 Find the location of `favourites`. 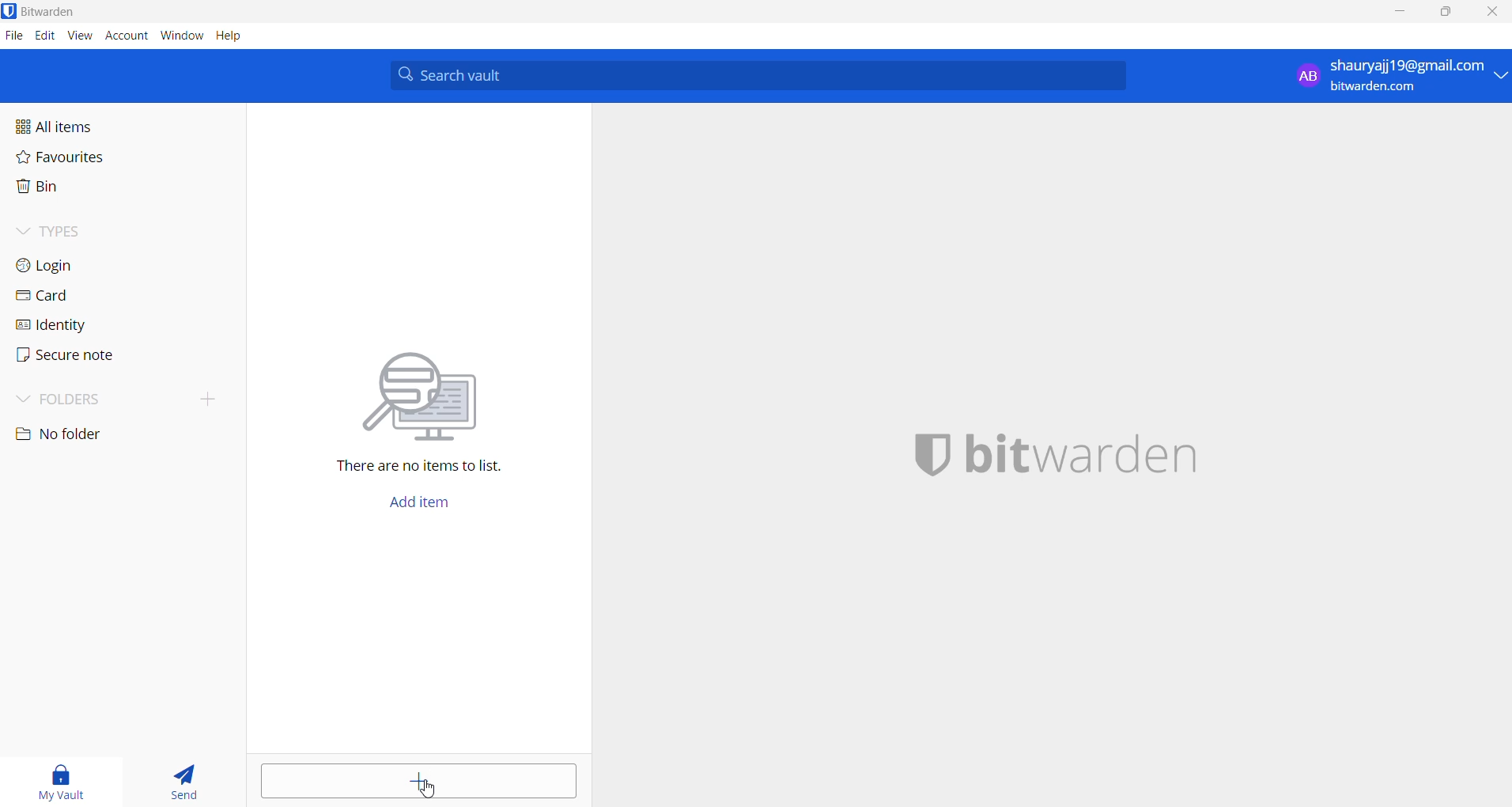

favourites is located at coordinates (88, 162).